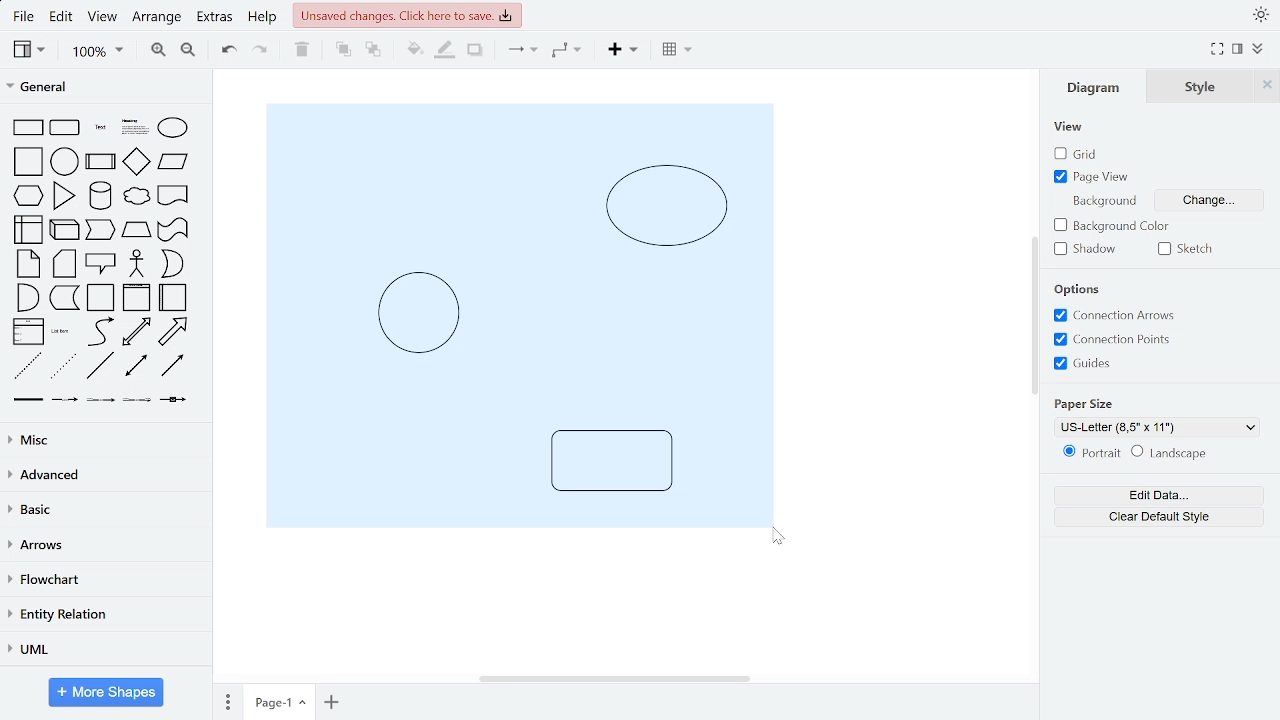 The width and height of the screenshot is (1280, 720). I want to click on arrange, so click(159, 17).